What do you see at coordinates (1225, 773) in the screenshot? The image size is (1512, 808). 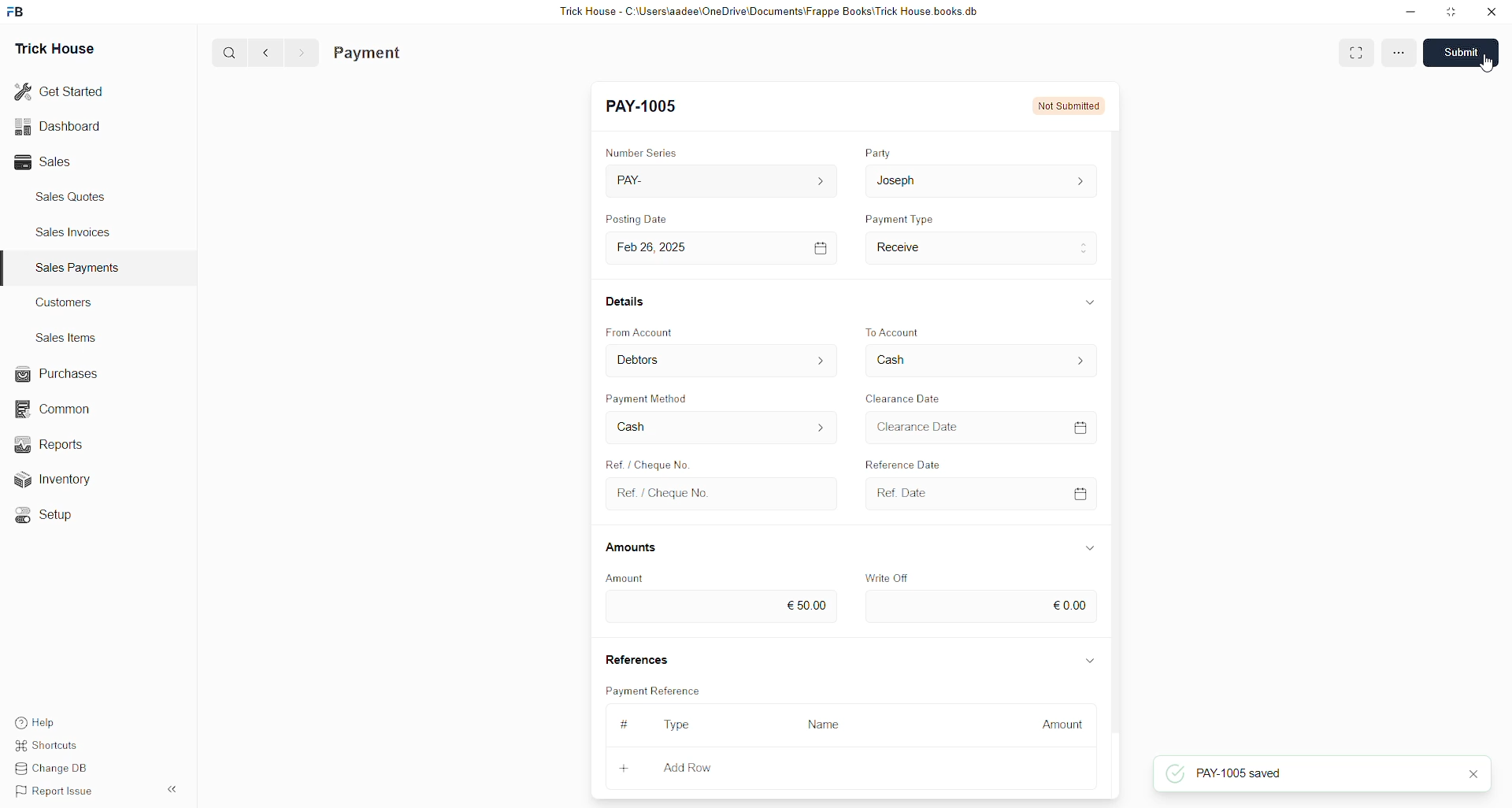 I see `PAY-1005 saved` at bounding box center [1225, 773].